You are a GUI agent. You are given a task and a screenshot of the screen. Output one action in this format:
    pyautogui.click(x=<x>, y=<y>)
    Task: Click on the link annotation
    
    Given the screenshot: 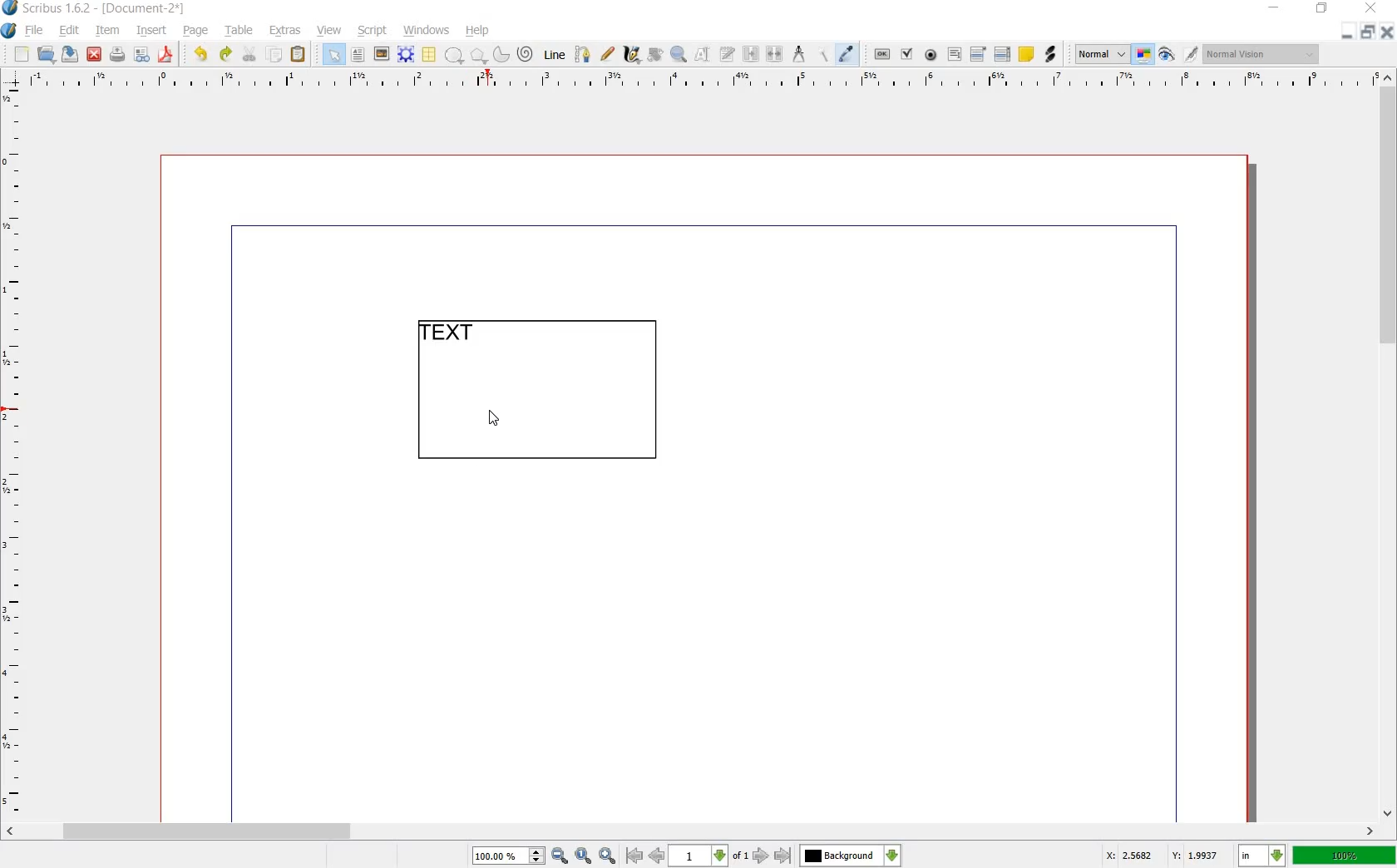 What is the action you would take?
    pyautogui.click(x=1049, y=55)
    